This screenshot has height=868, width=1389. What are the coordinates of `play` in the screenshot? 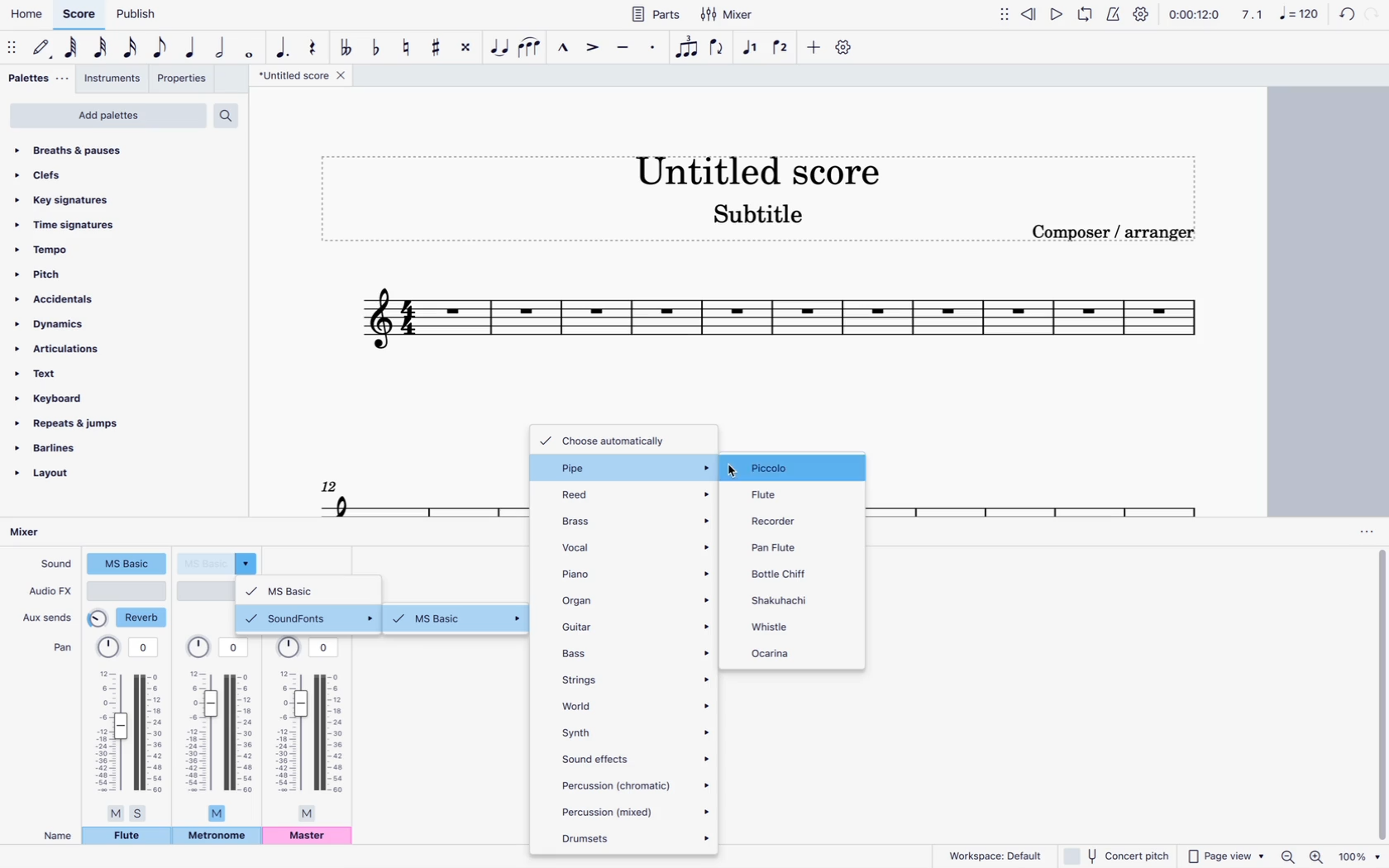 It's located at (1056, 14).